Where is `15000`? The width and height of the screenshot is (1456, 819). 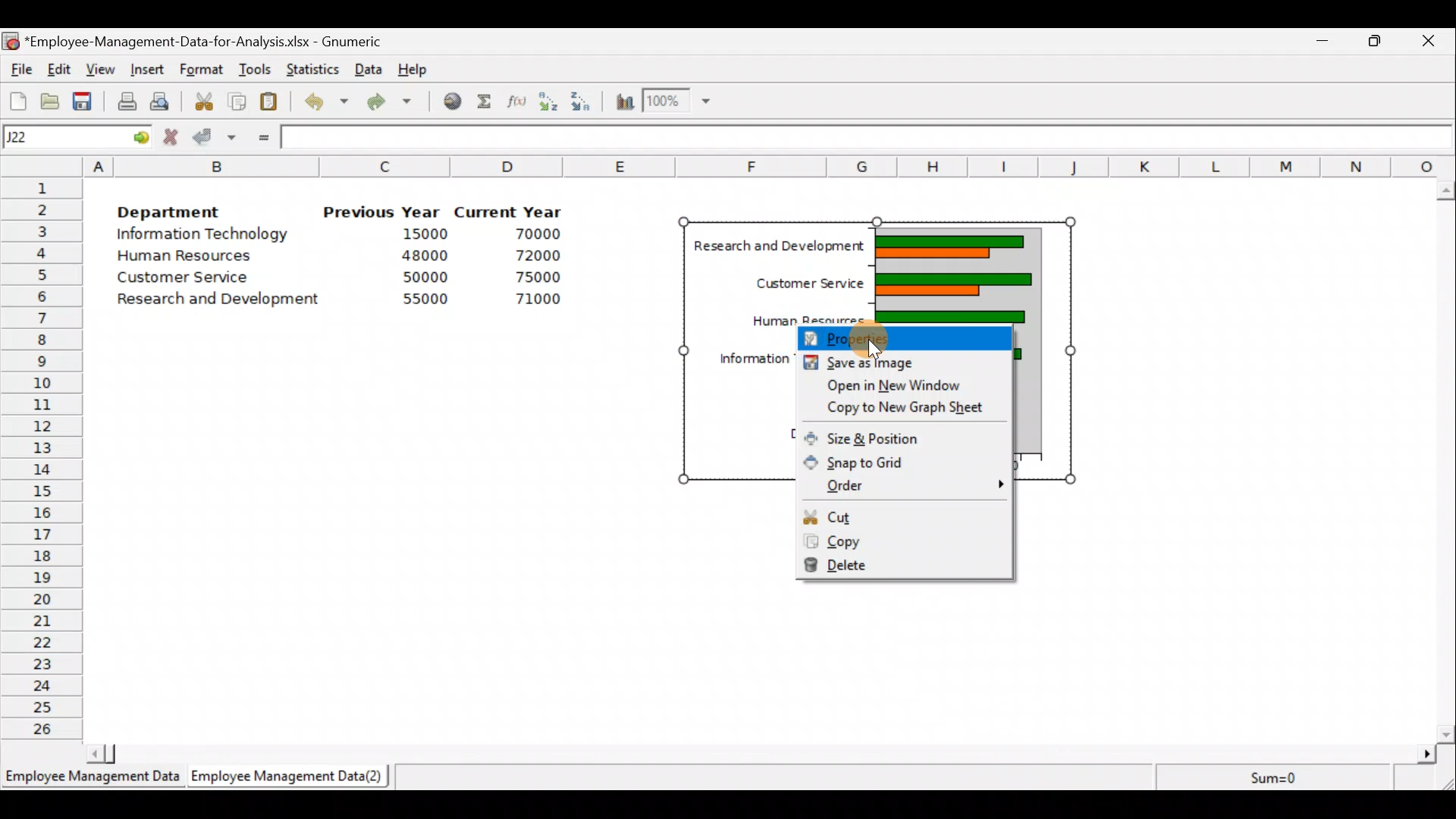
15000 is located at coordinates (420, 237).